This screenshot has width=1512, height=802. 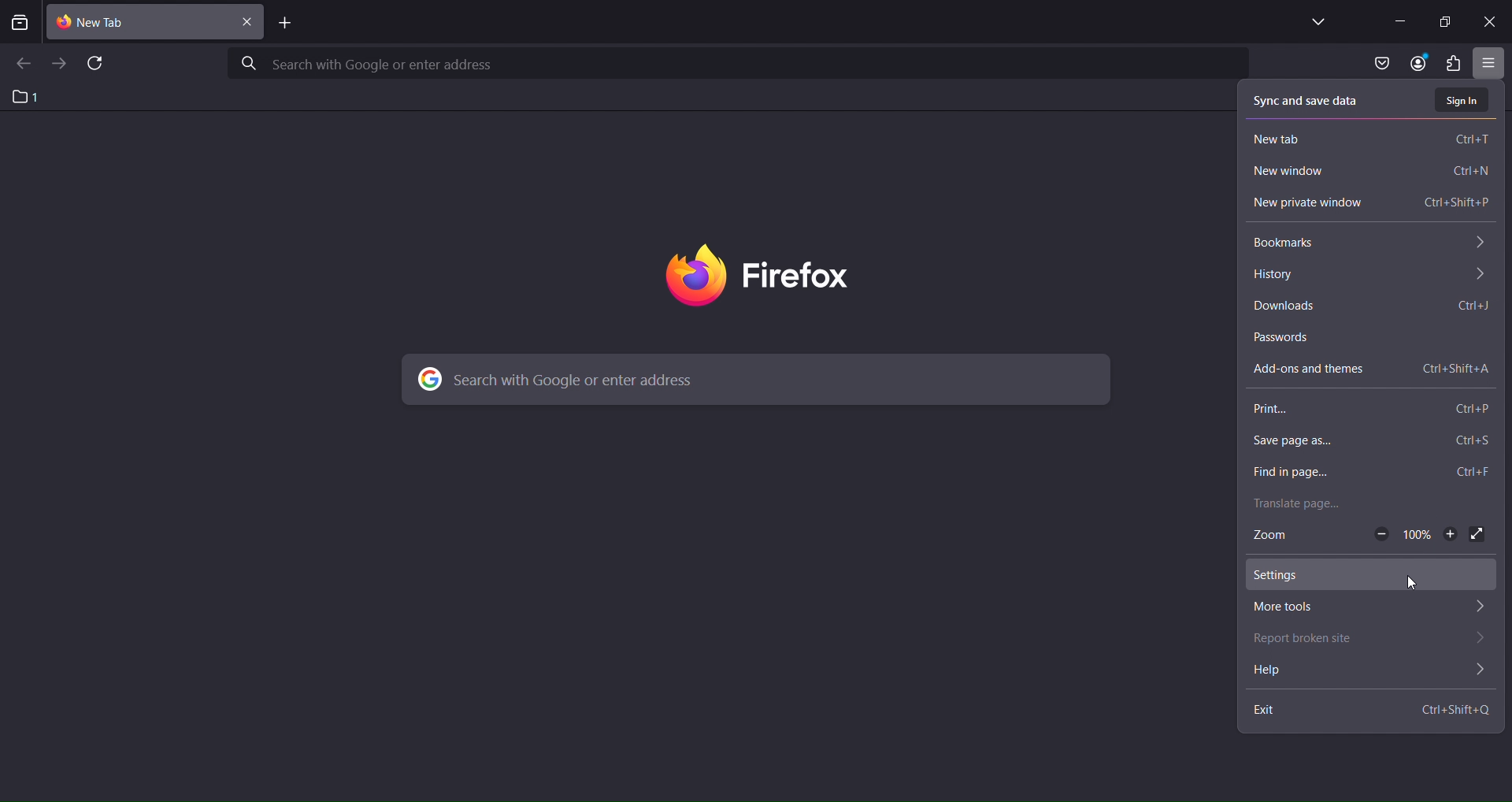 What do you see at coordinates (1303, 102) in the screenshot?
I see `sync and save data` at bounding box center [1303, 102].